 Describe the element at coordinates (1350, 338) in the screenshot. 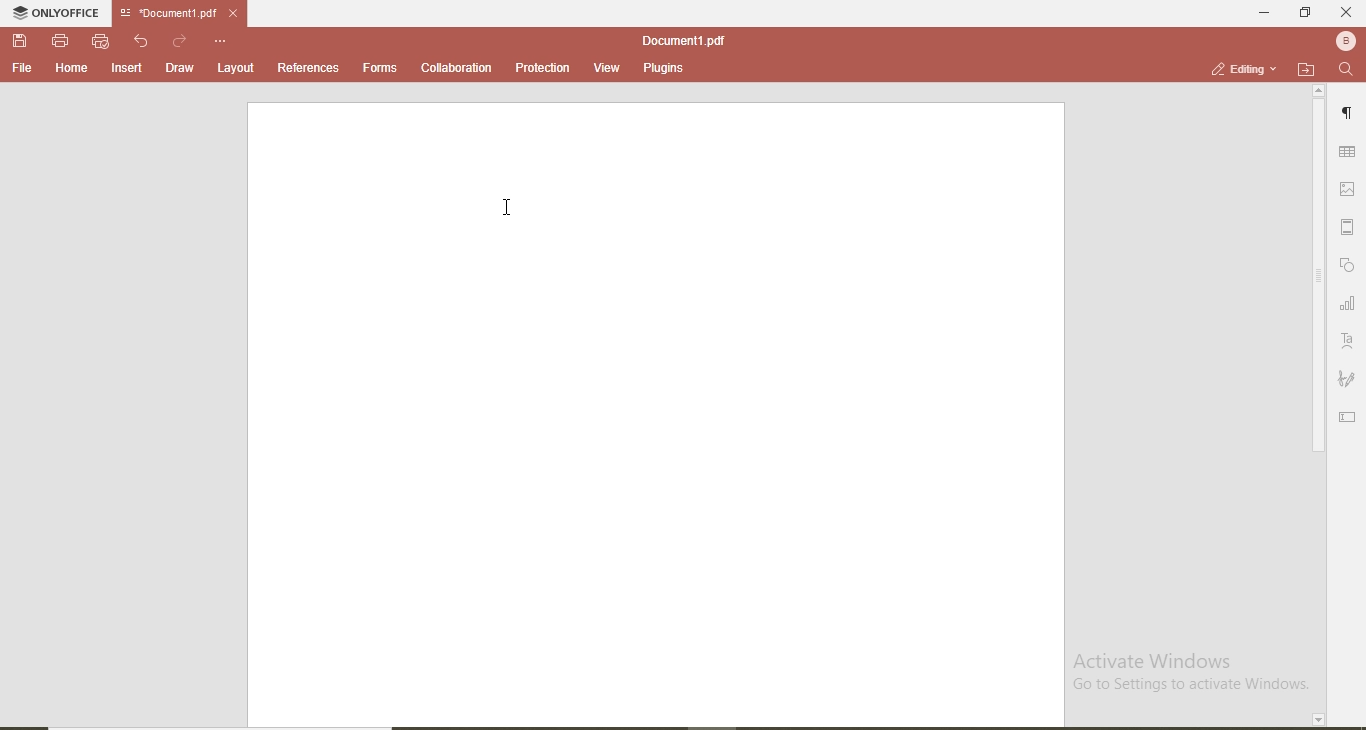

I see `text` at that location.